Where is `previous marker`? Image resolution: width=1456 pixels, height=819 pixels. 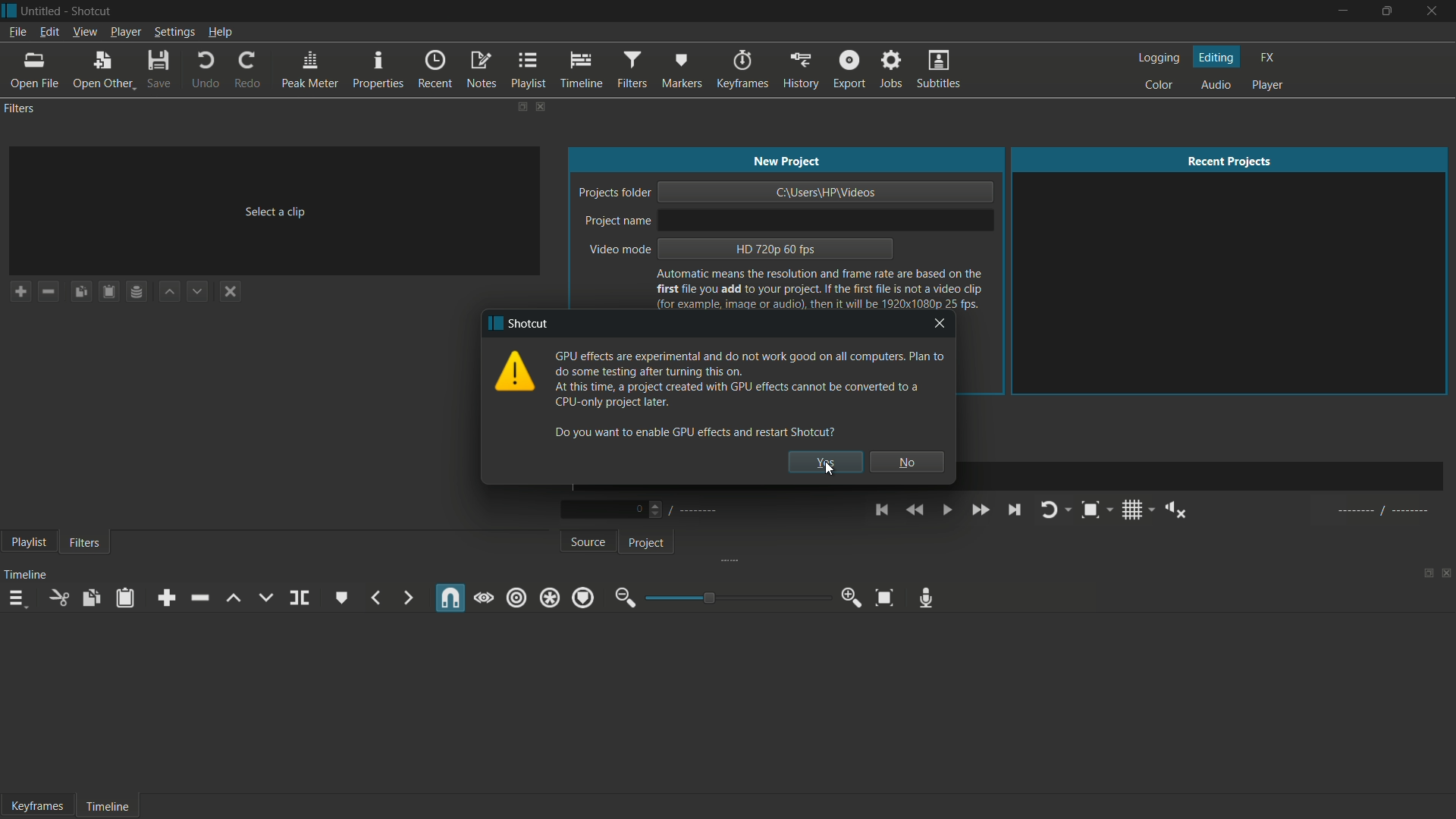
previous marker is located at coordinates (375, 599).